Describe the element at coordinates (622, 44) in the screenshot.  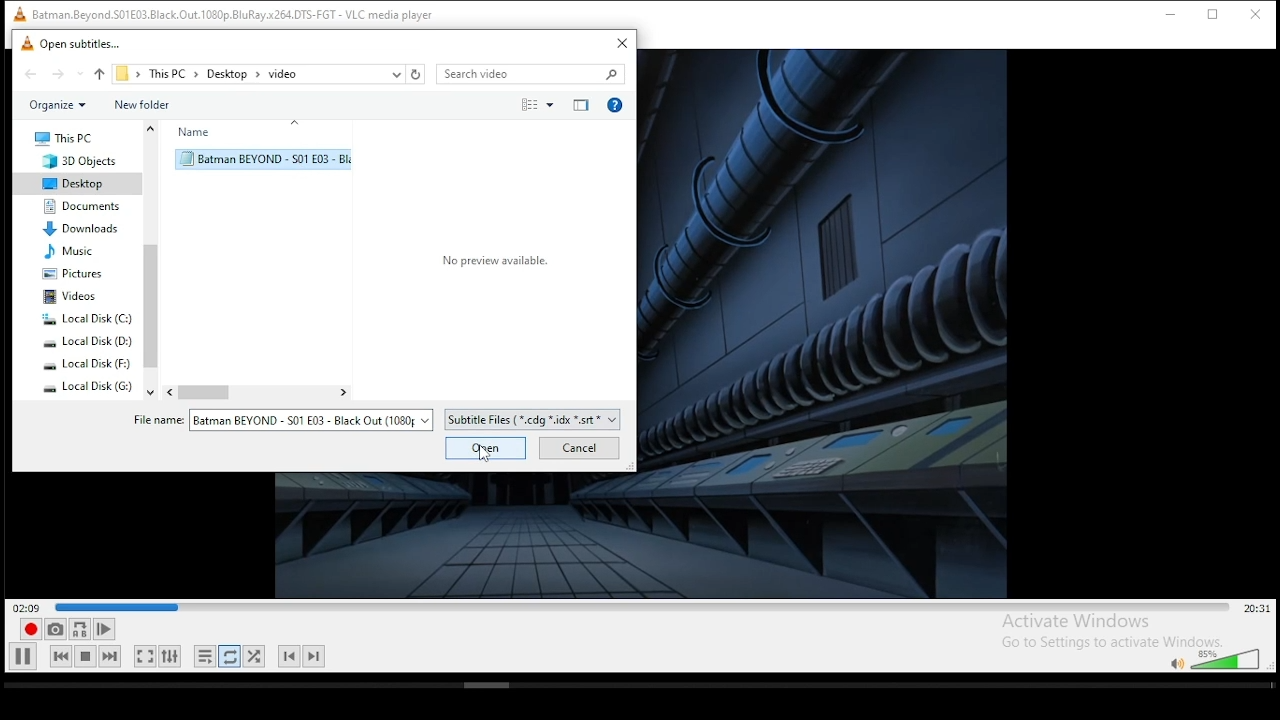
I see `close window` at that location.